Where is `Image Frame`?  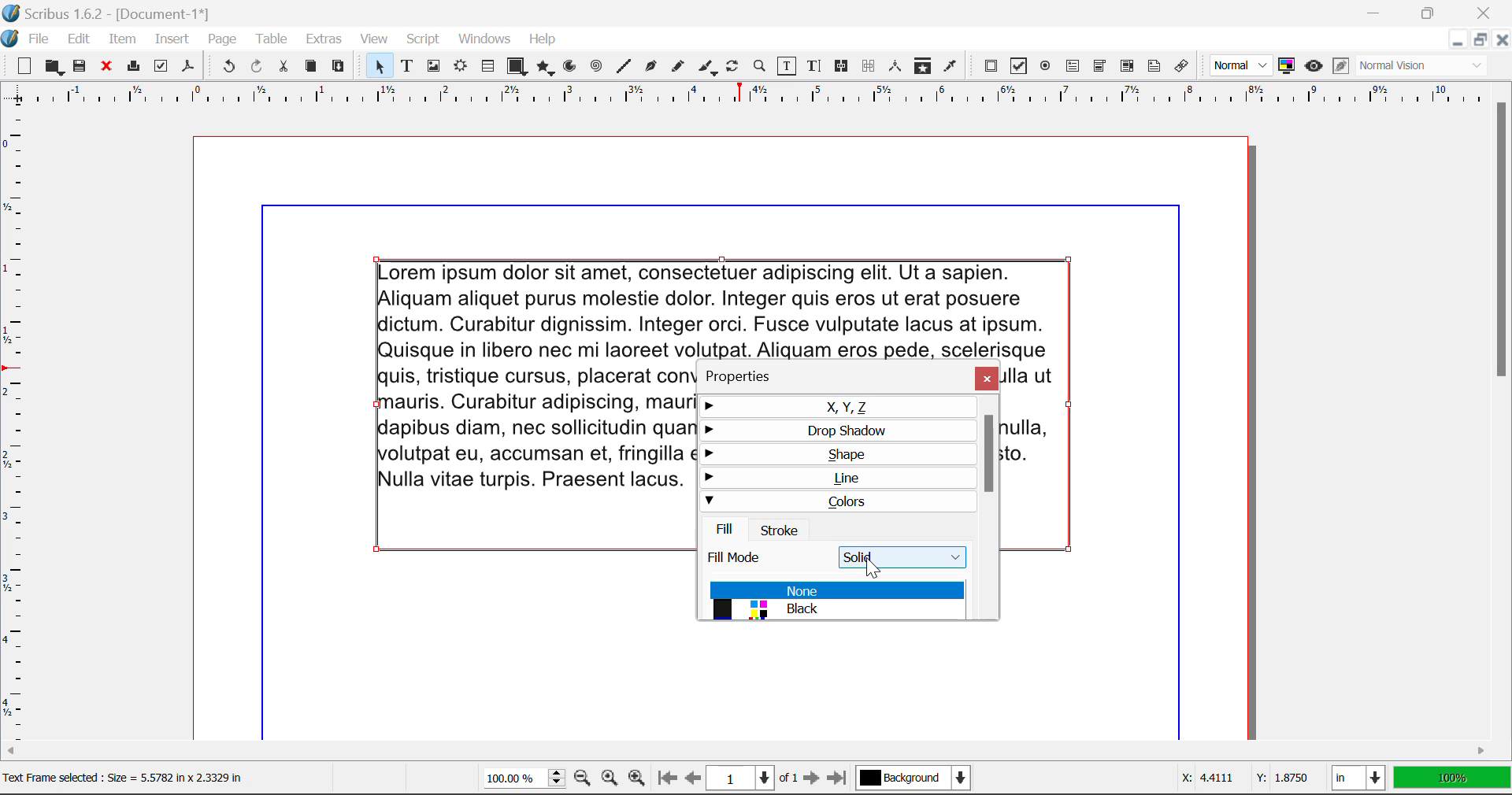
Image Frame is located at coordinates (433, 68).